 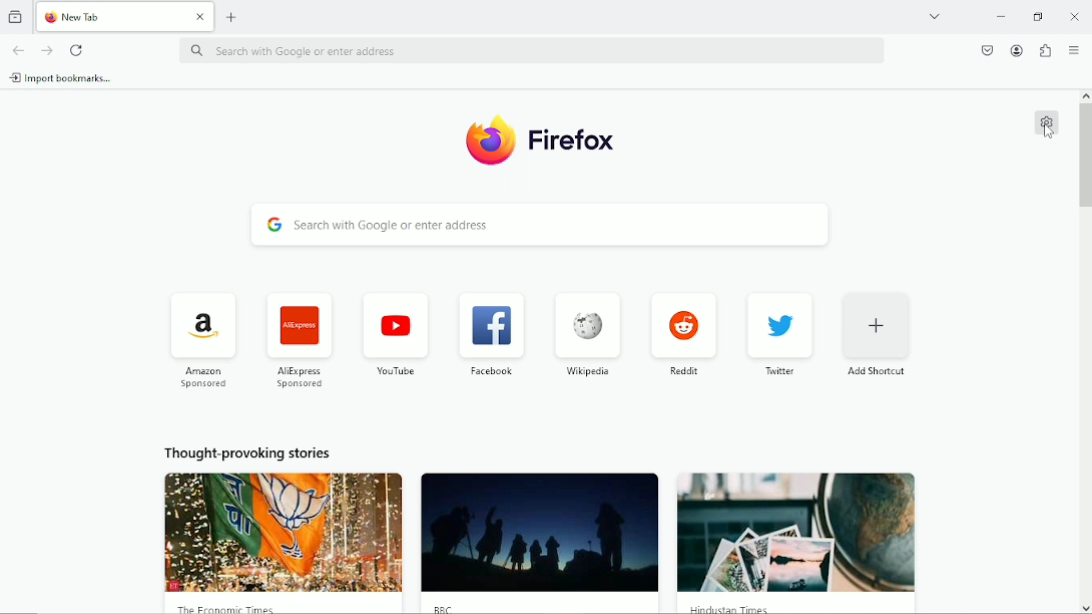 What do you see at coordinates (250, 454) in the screenshot?
I see `Thought provoking stories` at bounding box center [250, 454].